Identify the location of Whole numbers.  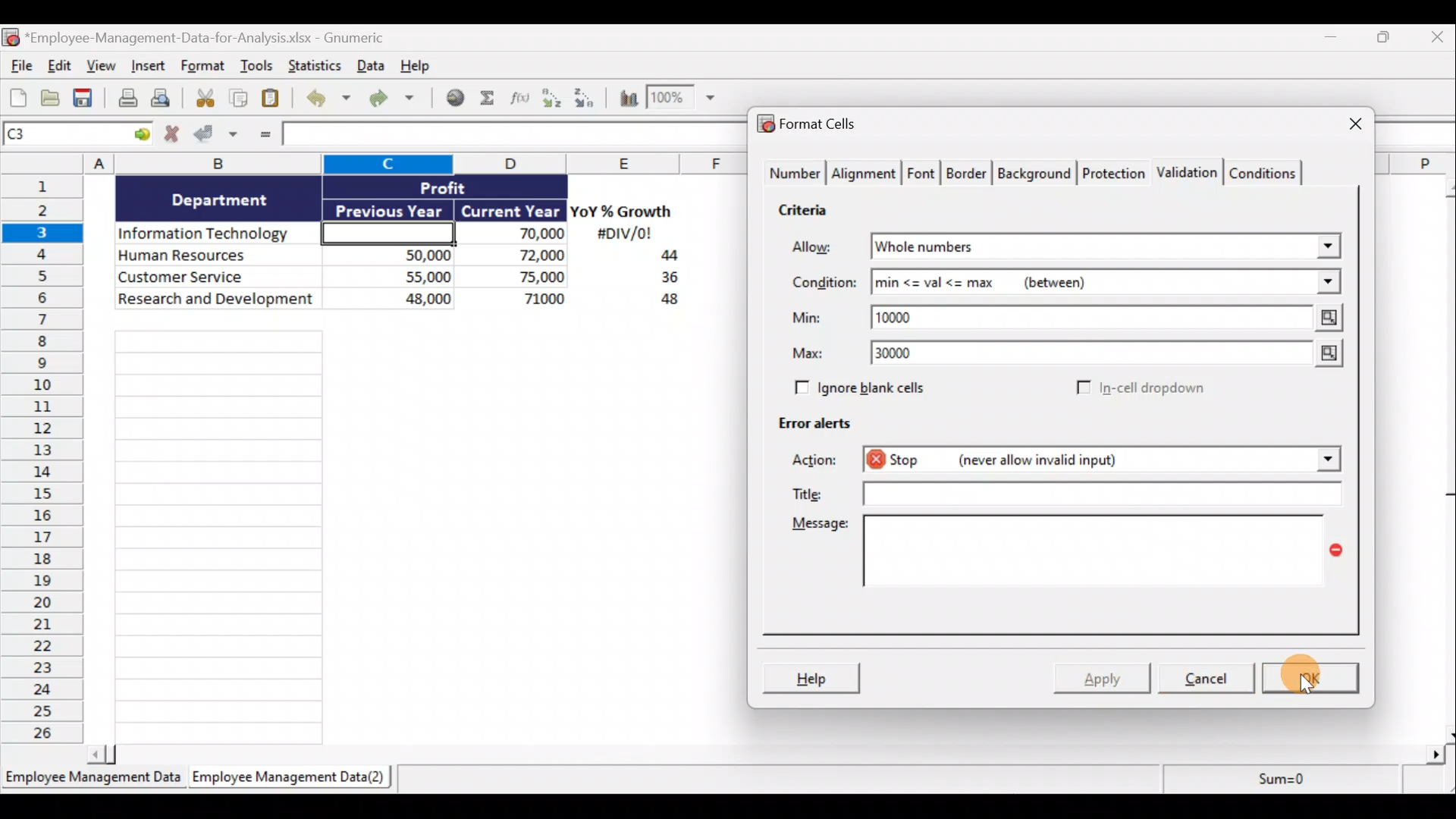
(1018, 247).